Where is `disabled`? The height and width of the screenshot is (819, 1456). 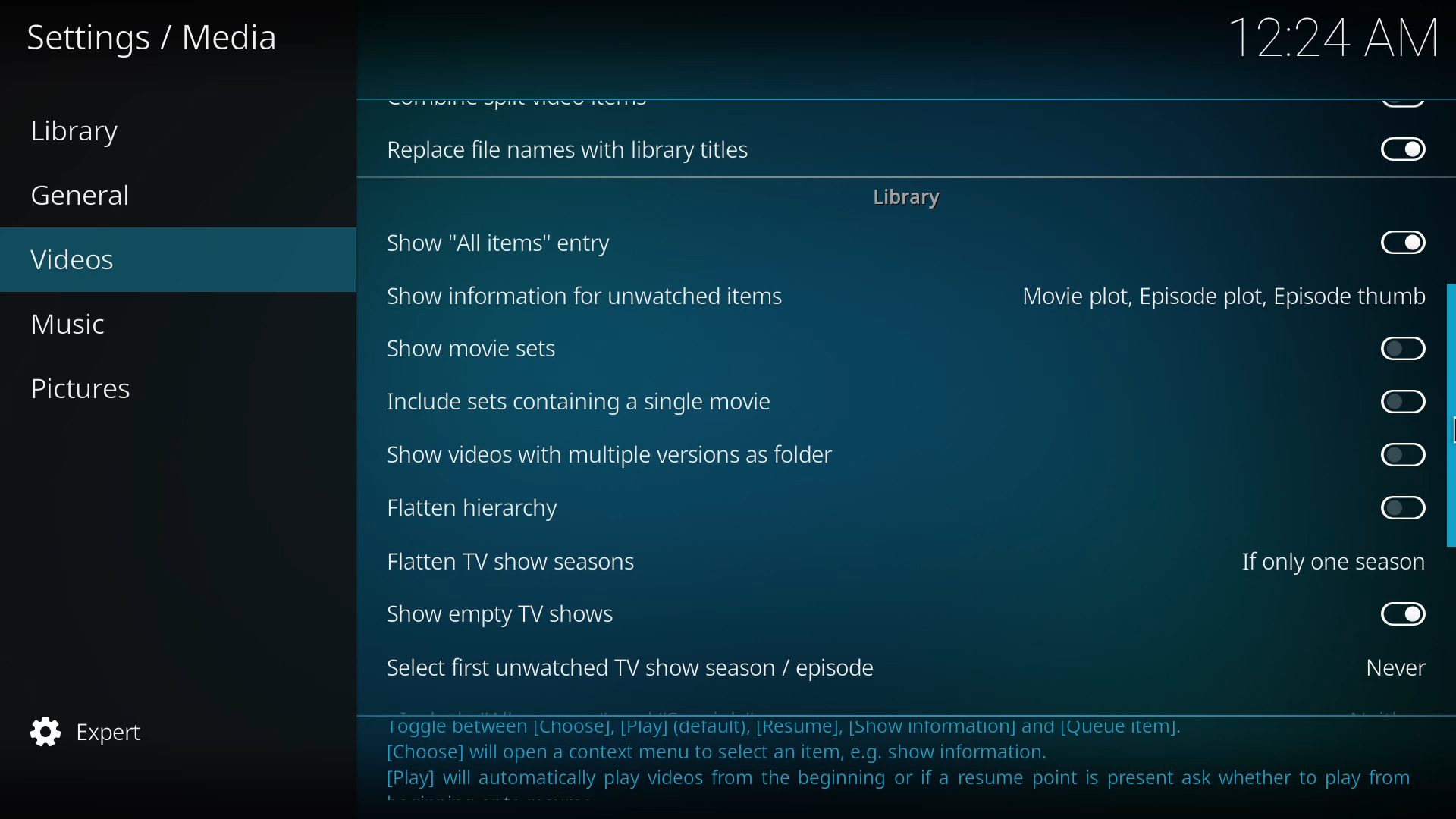 disabled is located at coordinates (1404, 241).